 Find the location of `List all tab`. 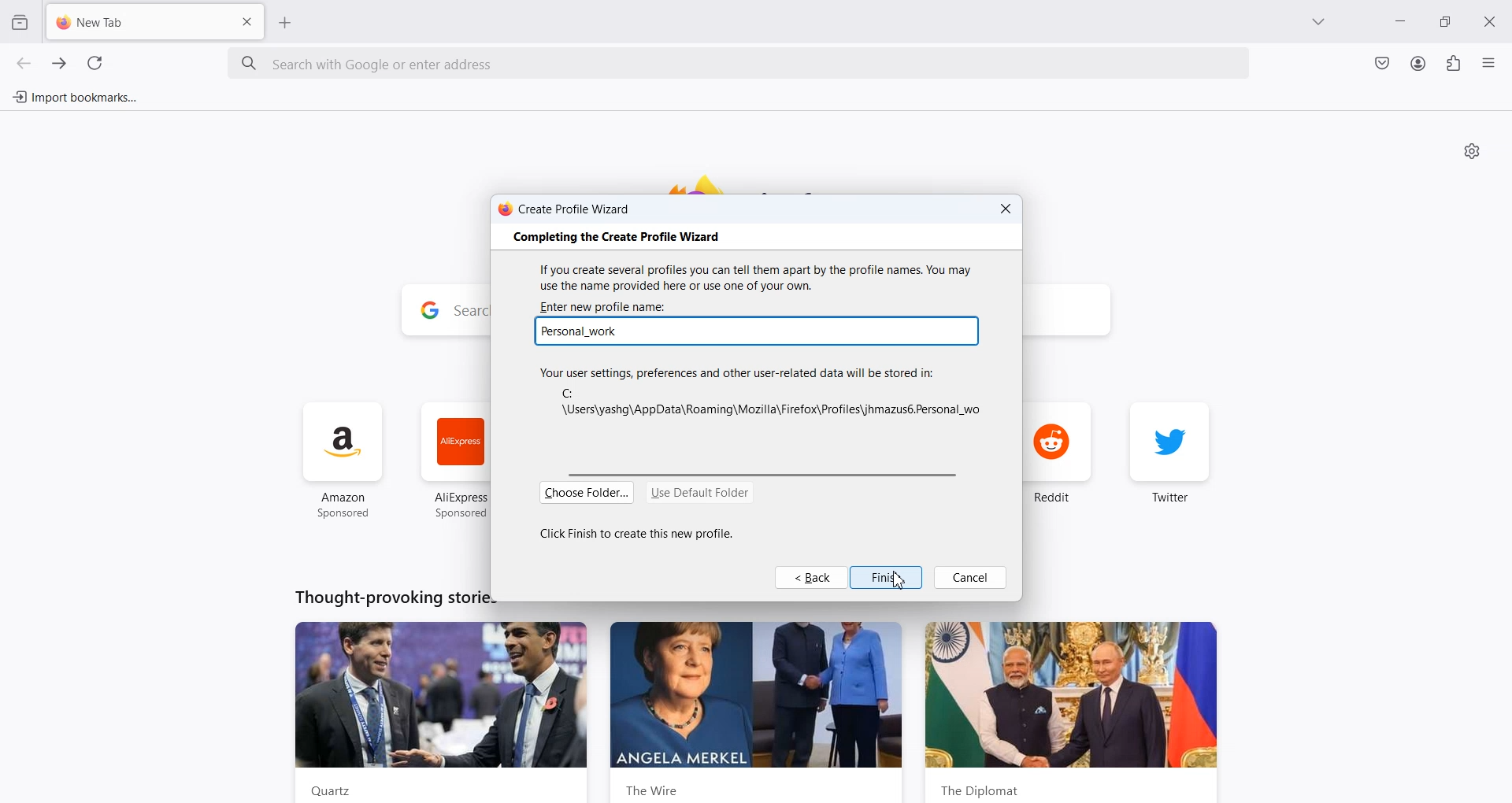

List all tab is located at coordinates (1319, 23).